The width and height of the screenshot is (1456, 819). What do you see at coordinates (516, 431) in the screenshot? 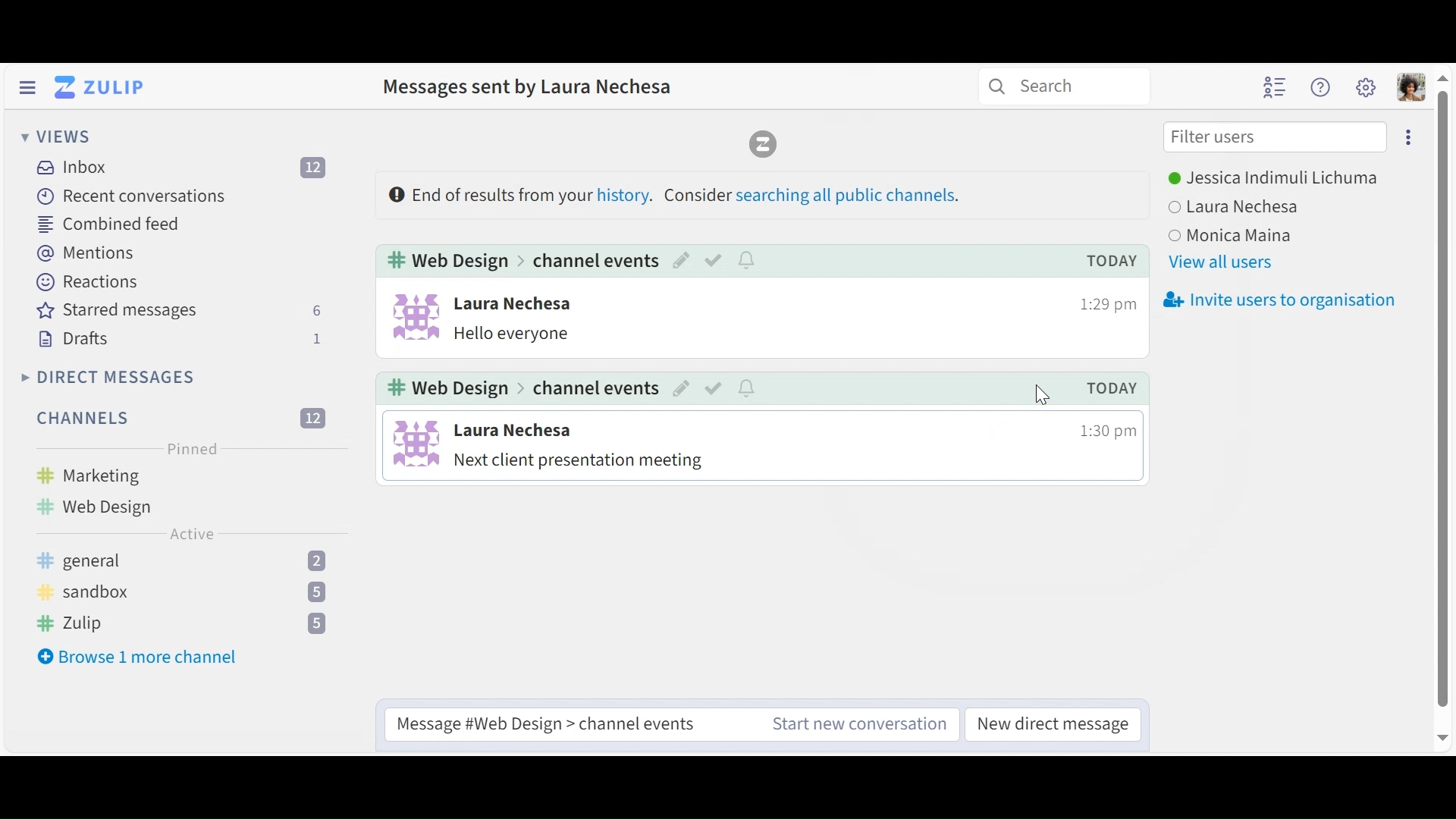
I see `user name` at bounding box center [516, 431].